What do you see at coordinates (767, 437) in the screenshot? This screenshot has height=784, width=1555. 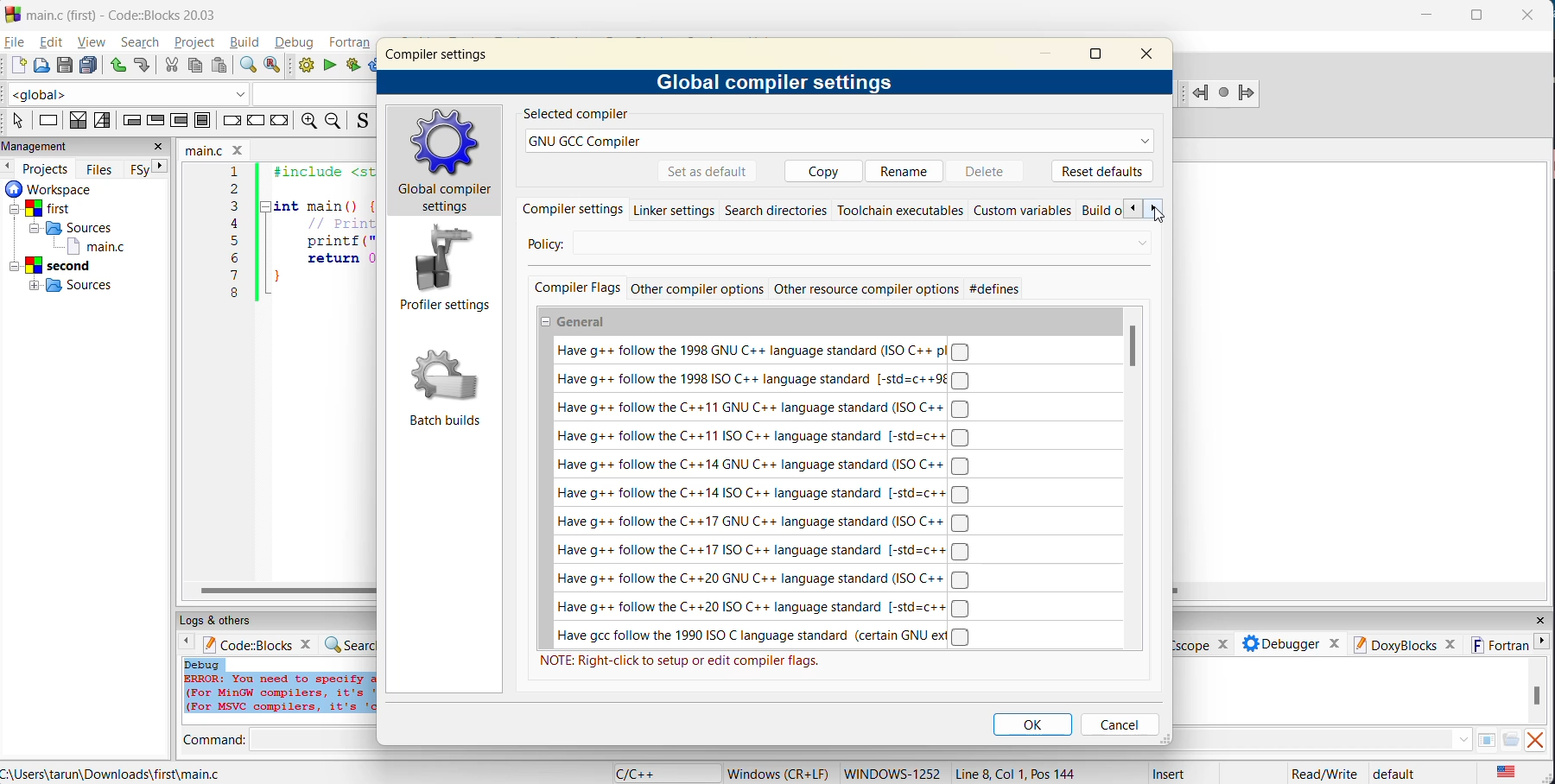 I see `Have g++ follow the C++111SO C++ language standard [-std=c++` at bounding box center [767, 437].